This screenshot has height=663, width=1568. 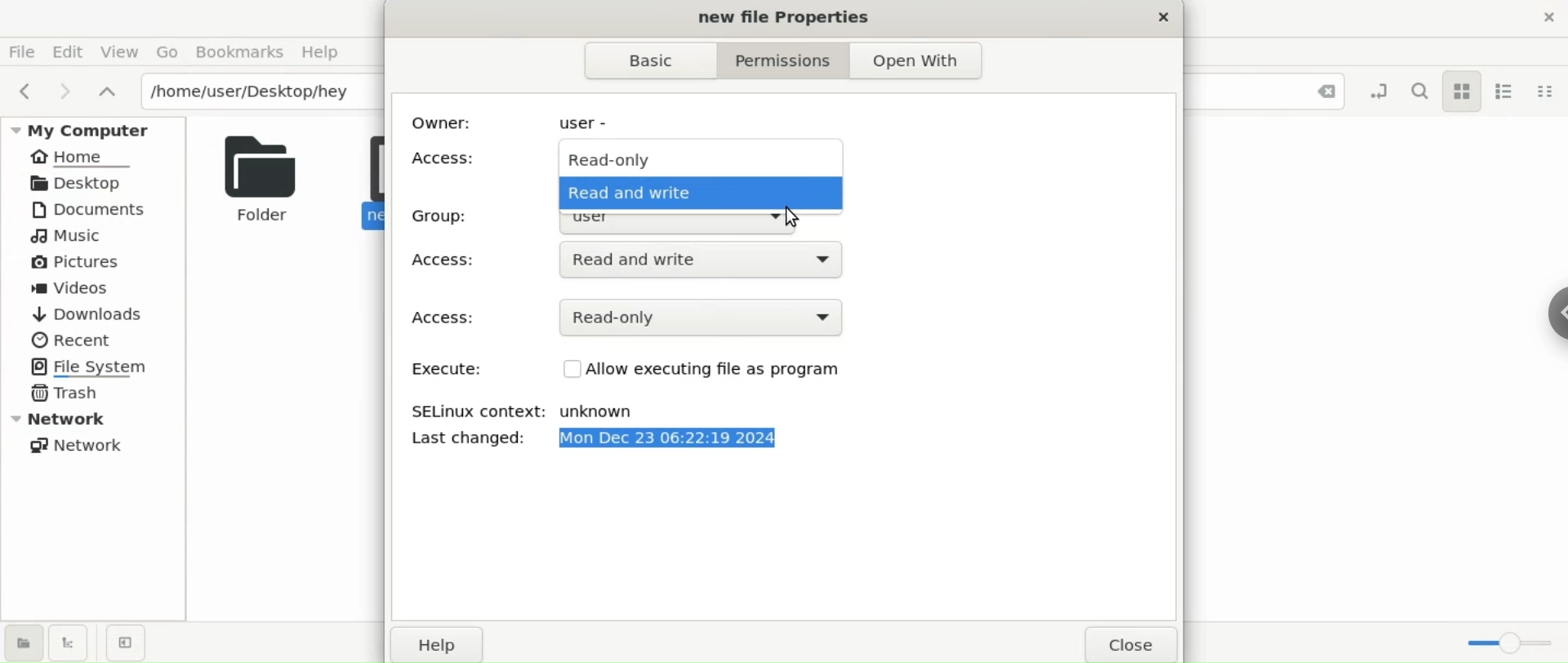 What do you see at coordinates (707, 257) in the screenshot?
I see `Read and write` at bounding box center [707, 257].